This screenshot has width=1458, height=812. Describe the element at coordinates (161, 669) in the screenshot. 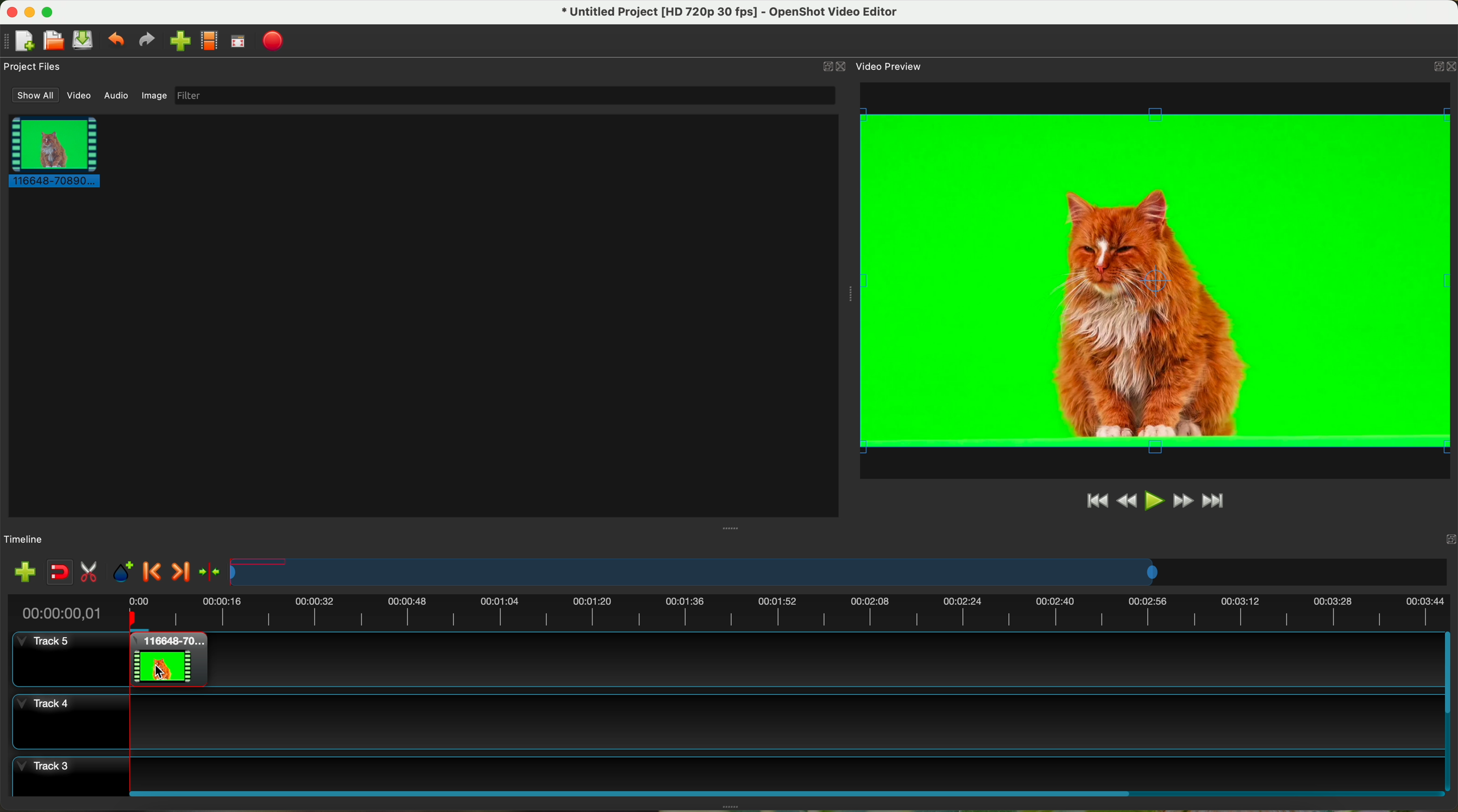

I see `mouse` at that location.